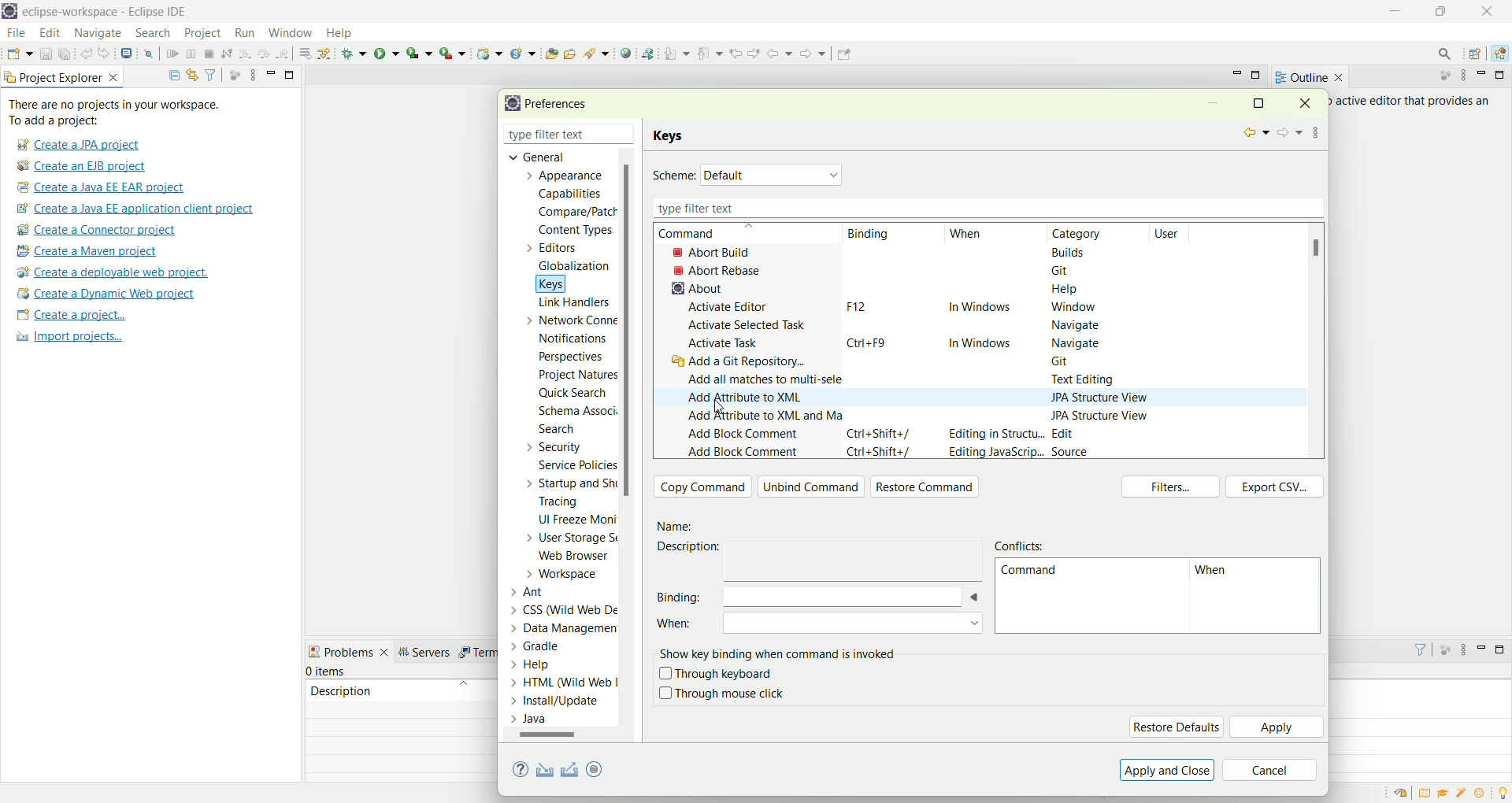  I want to click on logo, so click(510, 104).